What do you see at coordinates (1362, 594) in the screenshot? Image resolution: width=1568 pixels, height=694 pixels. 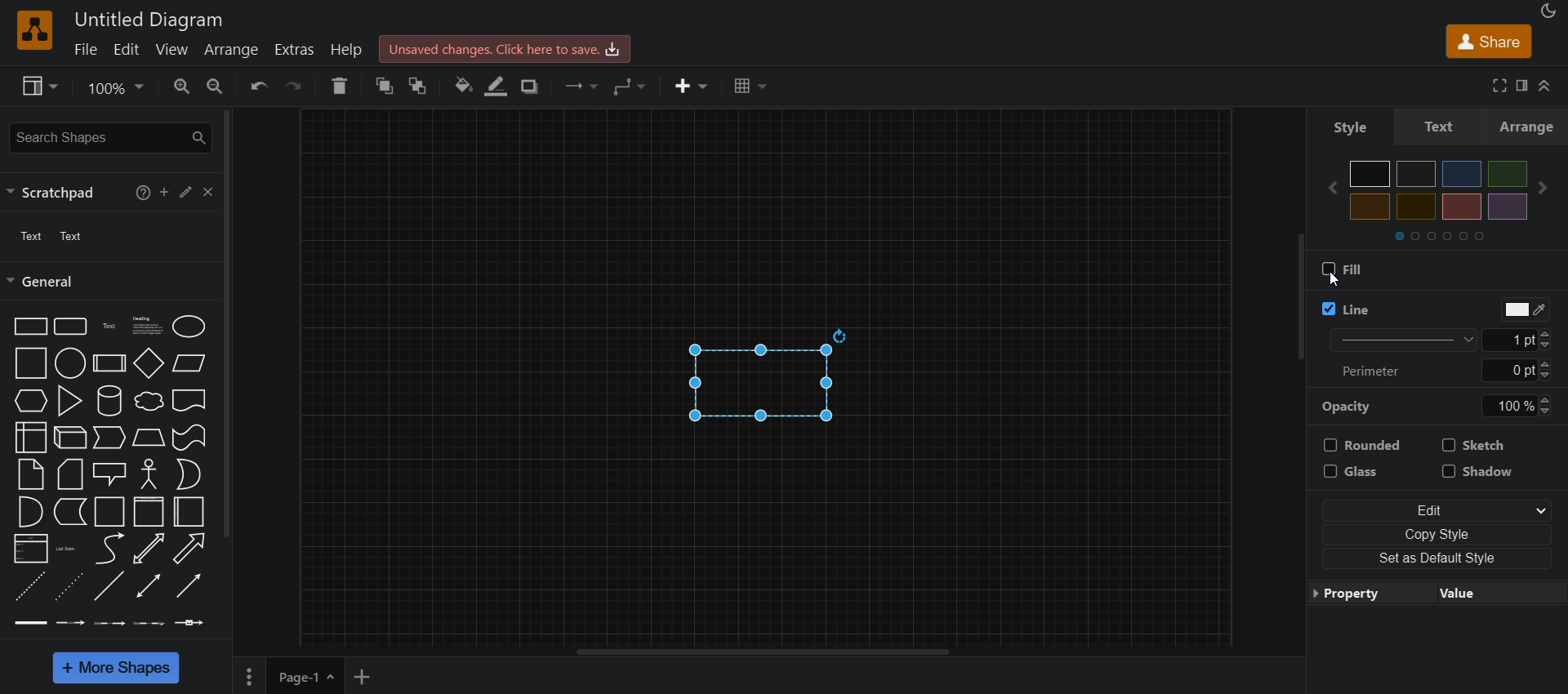 I see `property` at bounding box center [1362, 594].